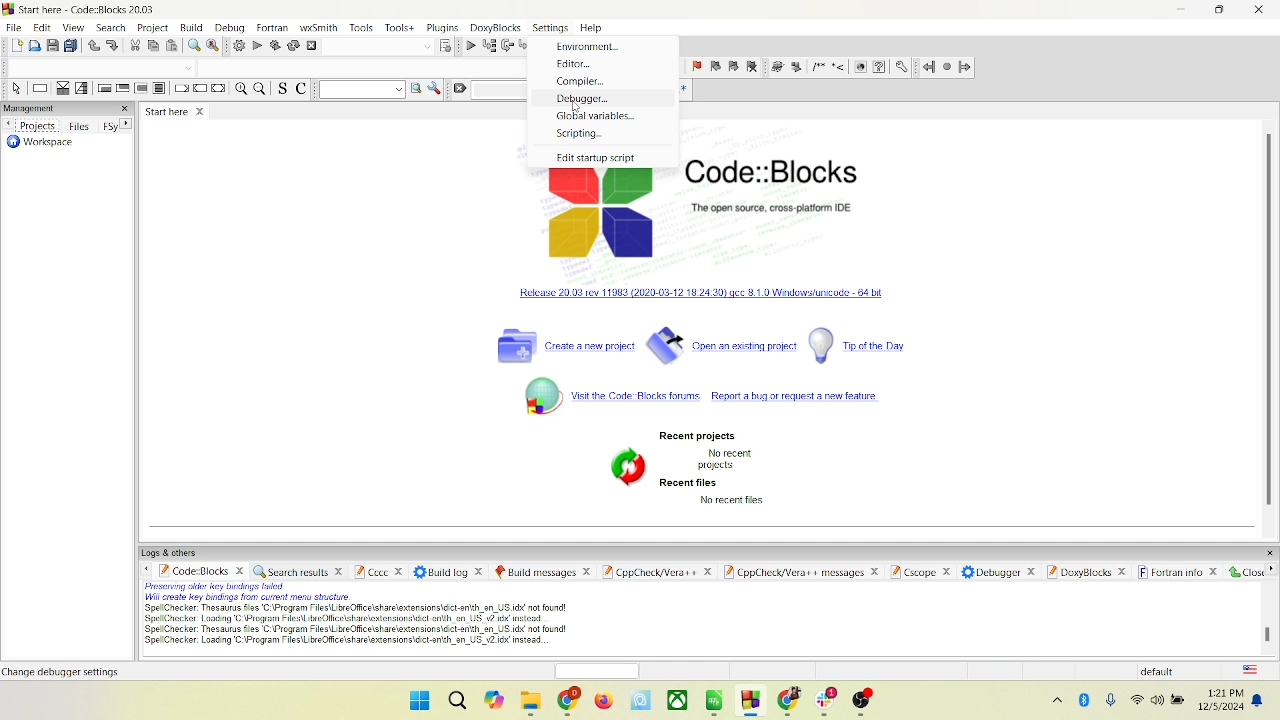 The image size is (1280, 720). Describe the element at coordinates (34, 124) in the screenshot. I see `projects` at that location.